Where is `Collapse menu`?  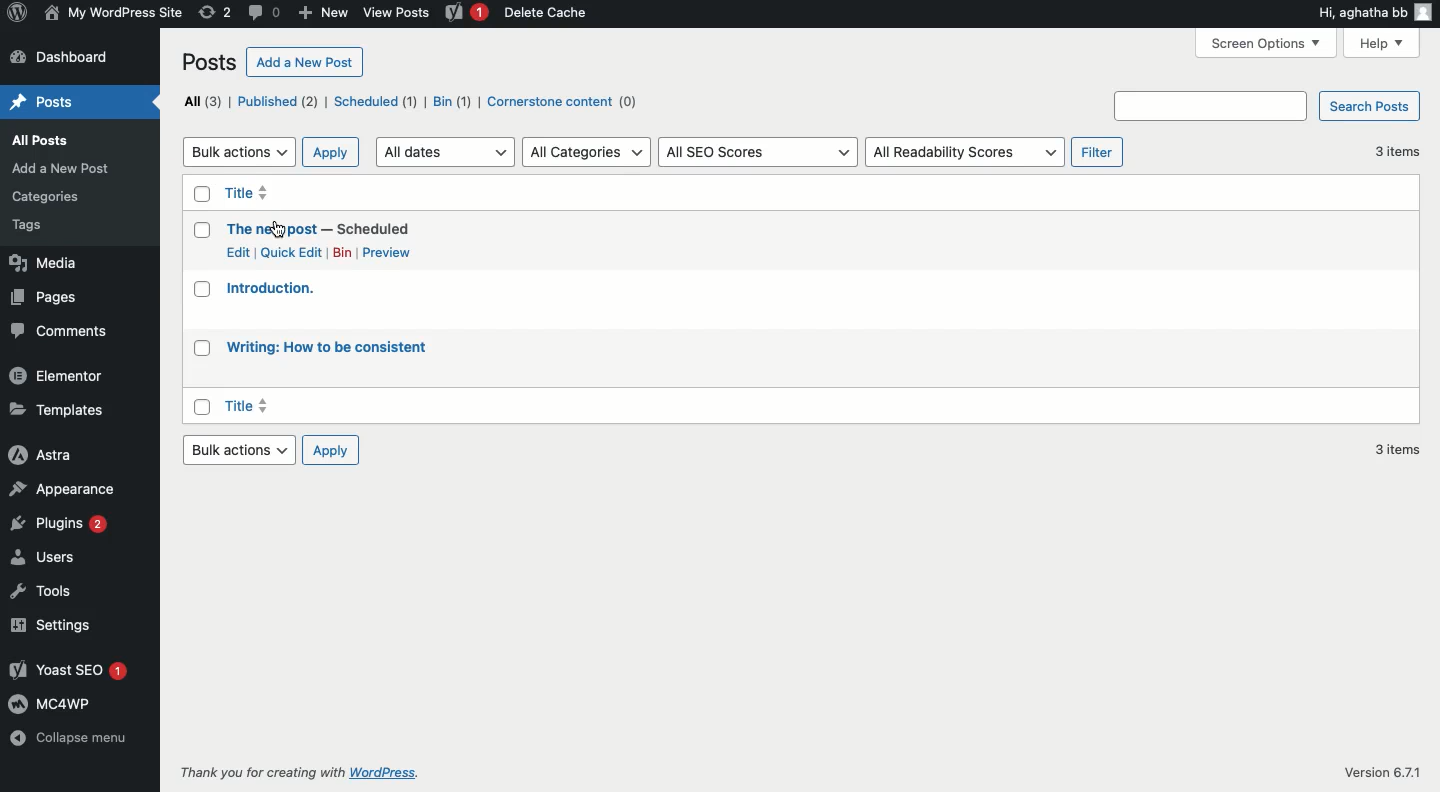 Collapse menu is located at coordinates (69, 737).